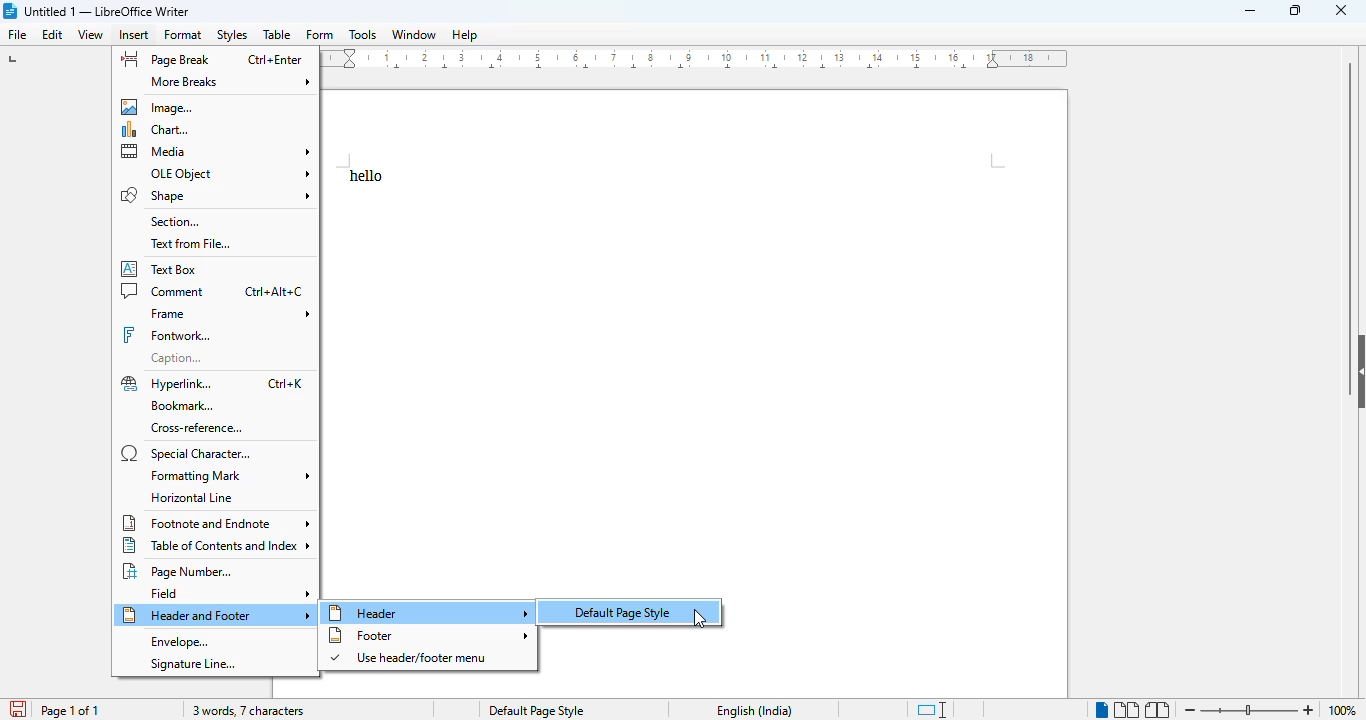  Describe the element at coordinates (414, 34) in the screenshot. I see `window` at that location.